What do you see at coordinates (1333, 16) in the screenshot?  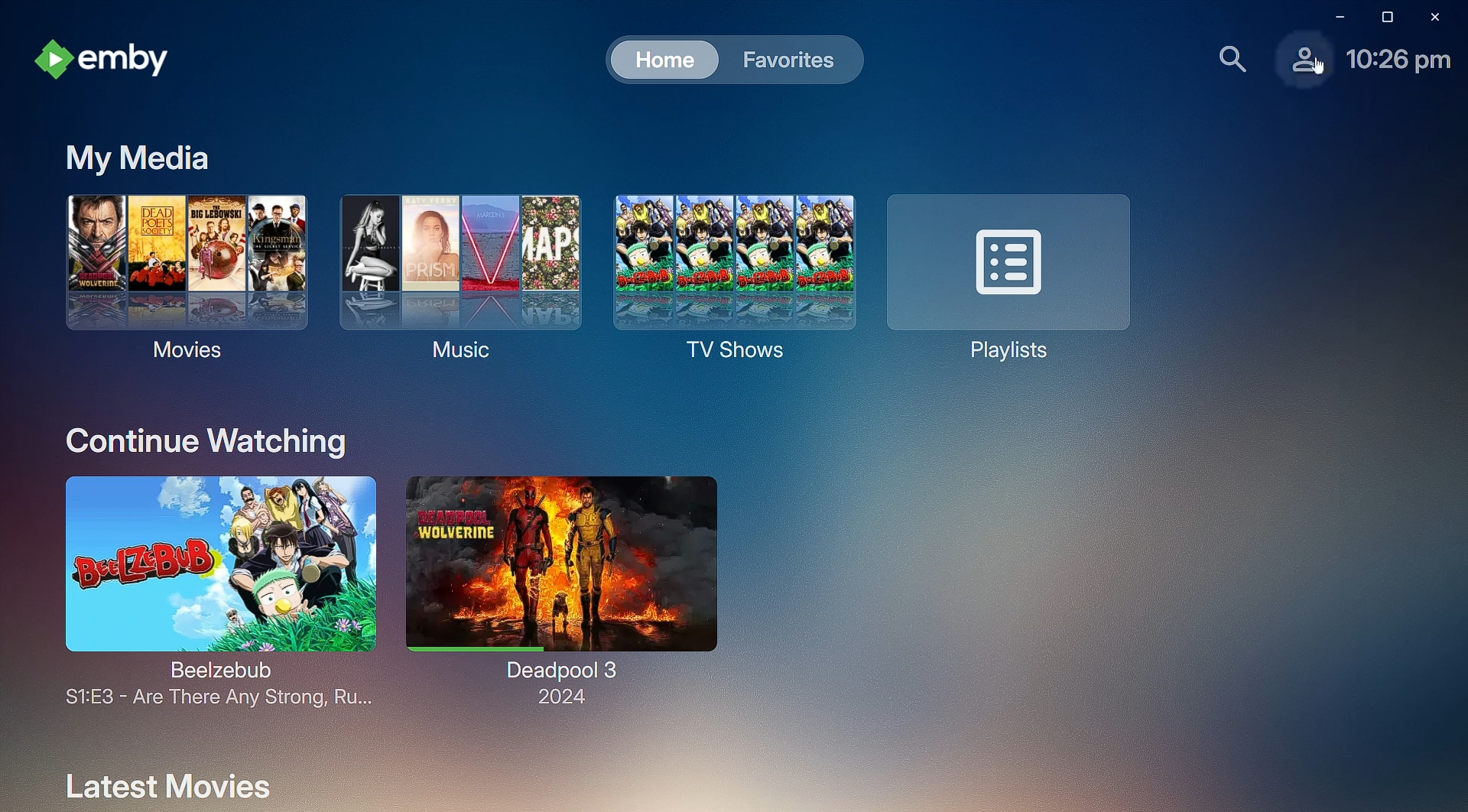 I see `Minimize` at bounding box center [1333, 16].